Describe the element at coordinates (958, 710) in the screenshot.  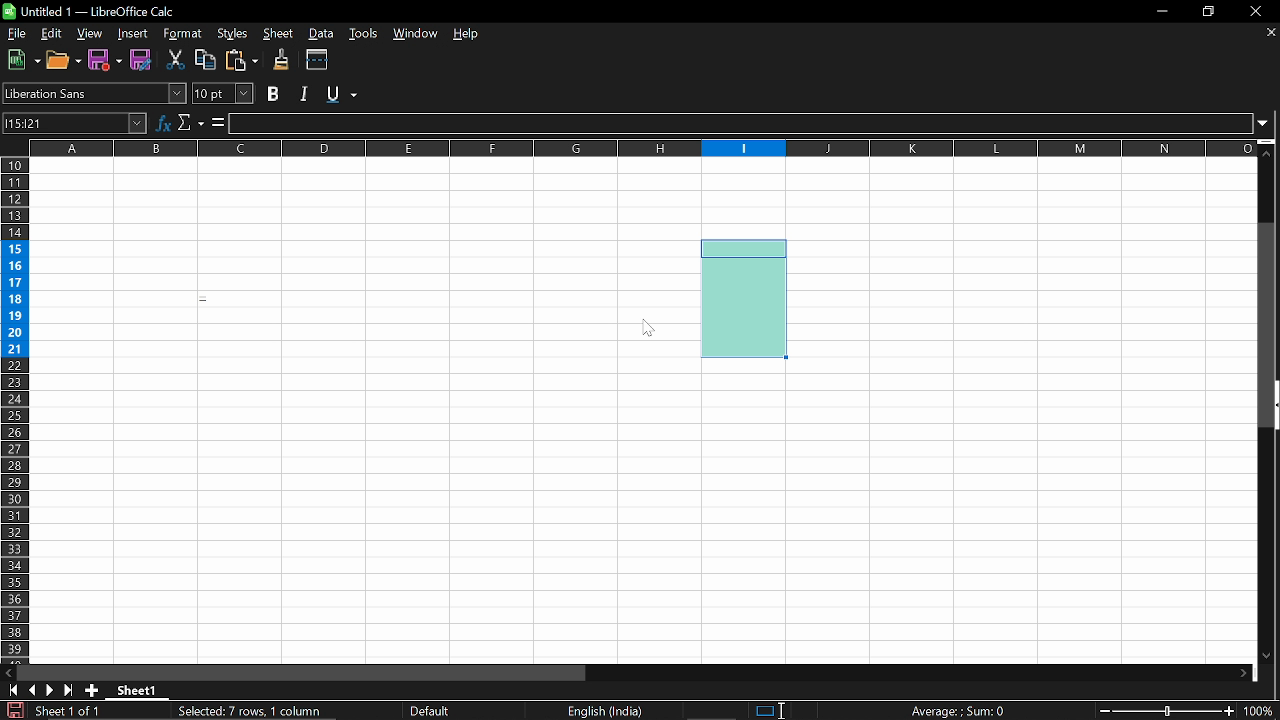
I see `Formula` at that location.